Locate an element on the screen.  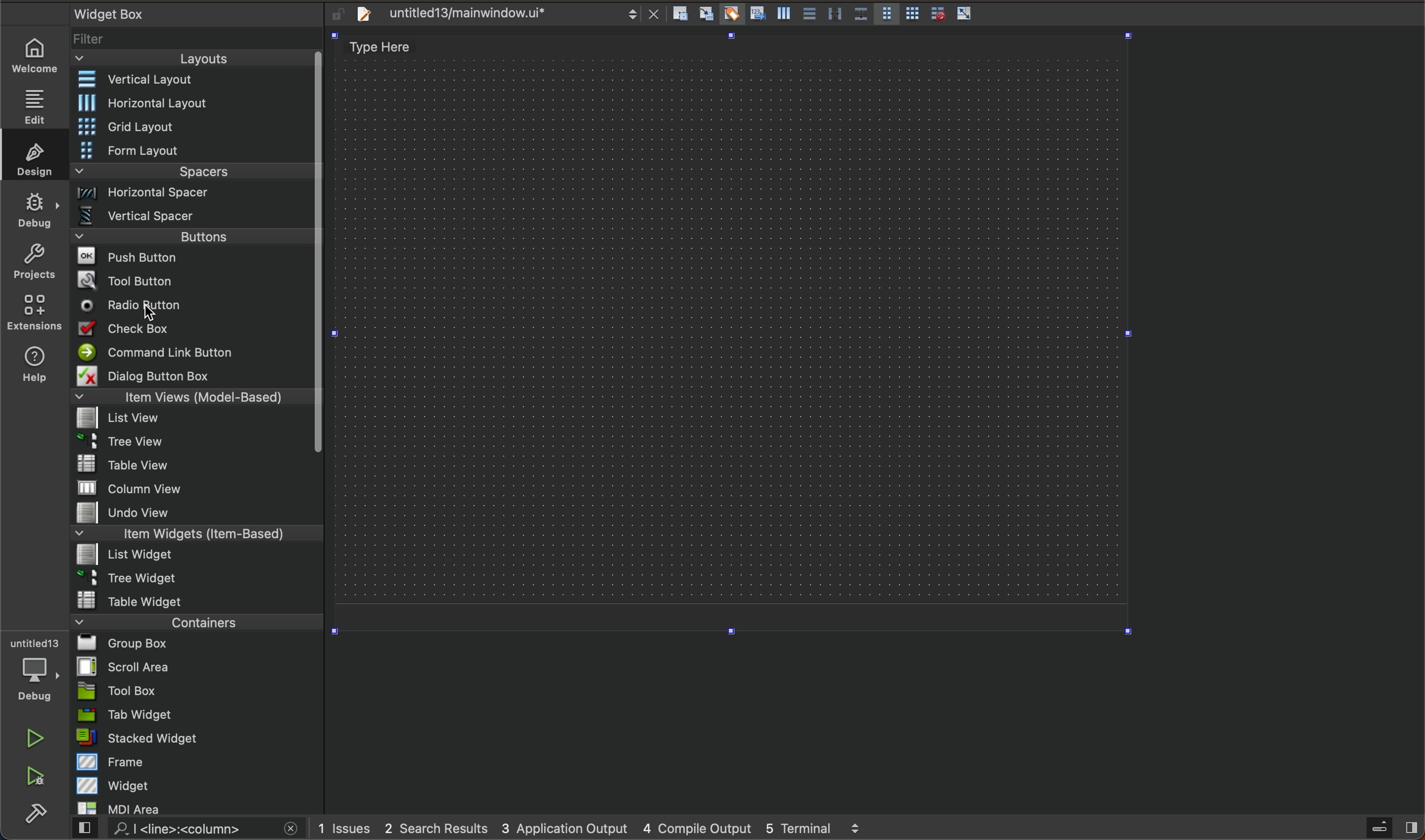
widget box is located at coordinates (181, 13).